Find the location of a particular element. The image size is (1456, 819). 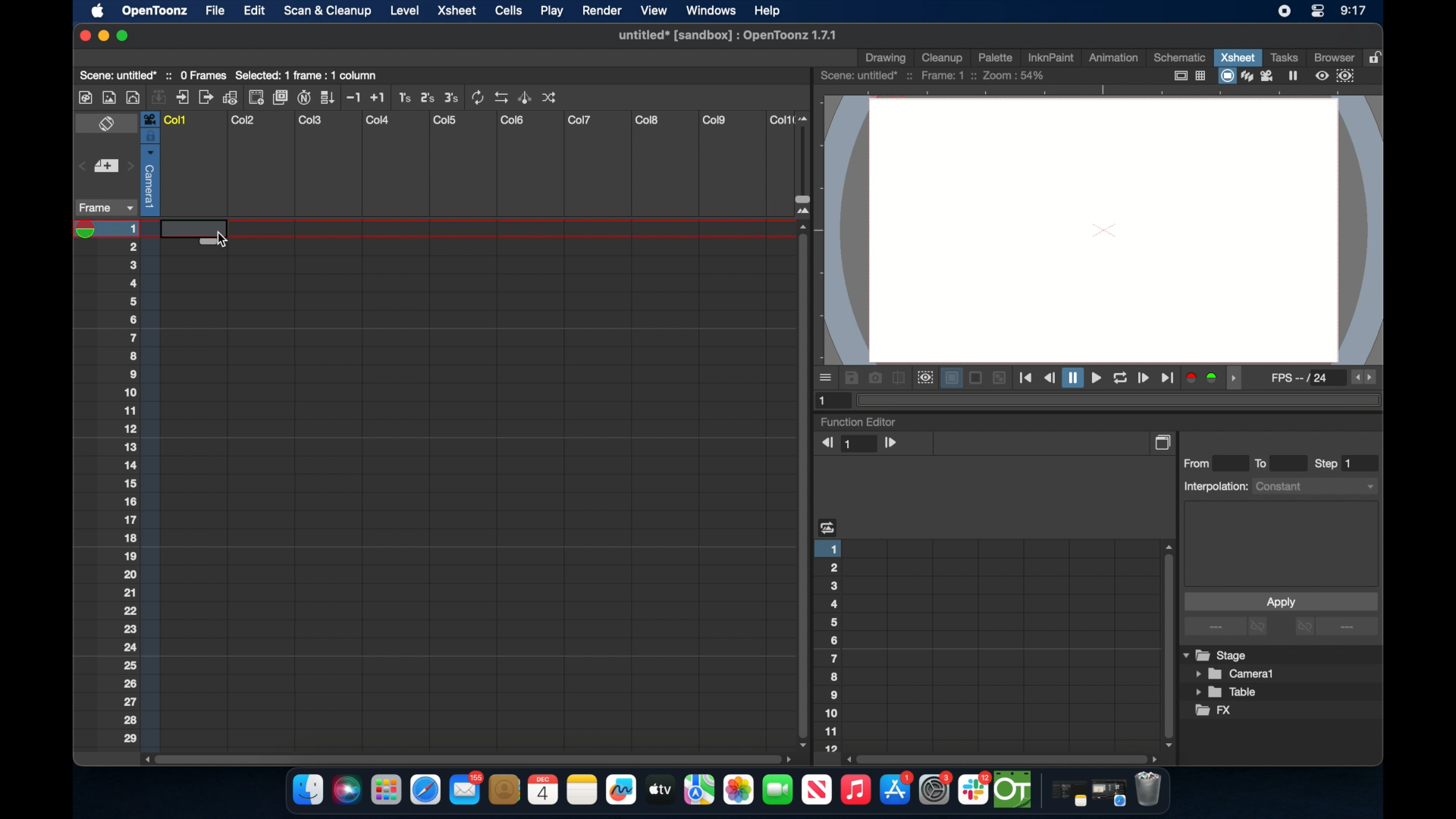

mail is located at coordinates (466, 788).